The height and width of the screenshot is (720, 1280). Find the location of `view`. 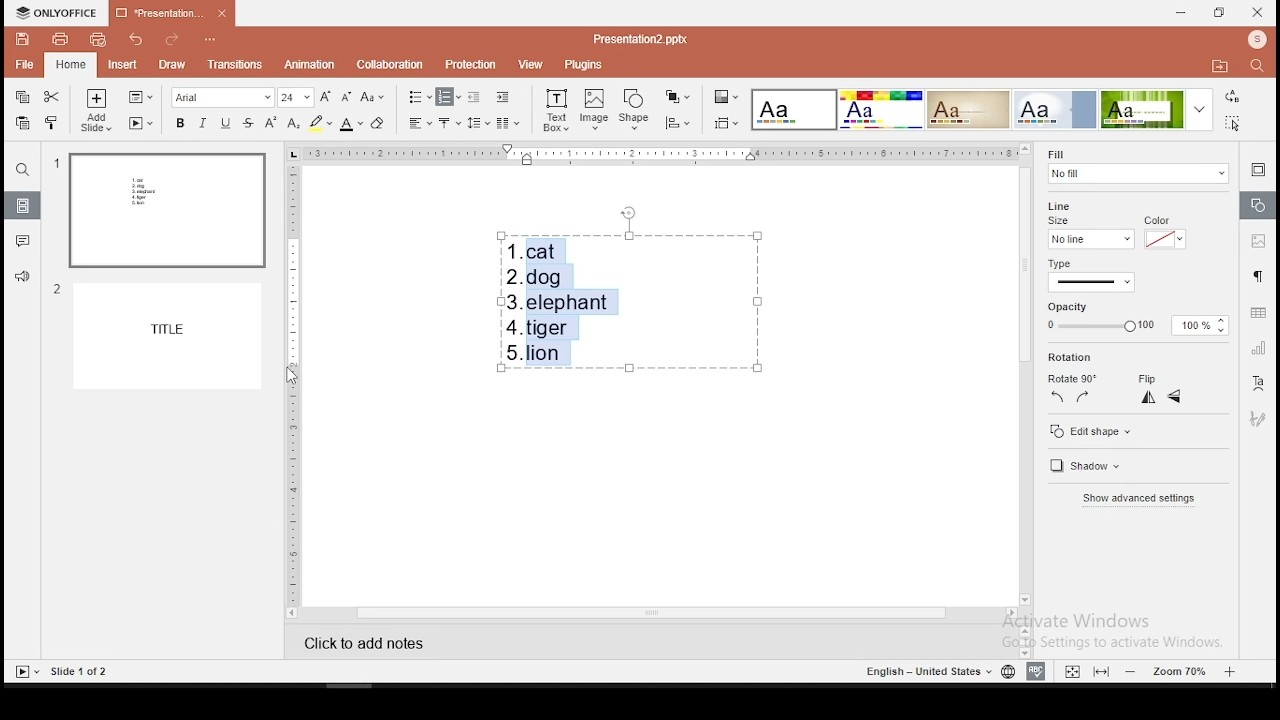

view is located at coordinates (527, 65).